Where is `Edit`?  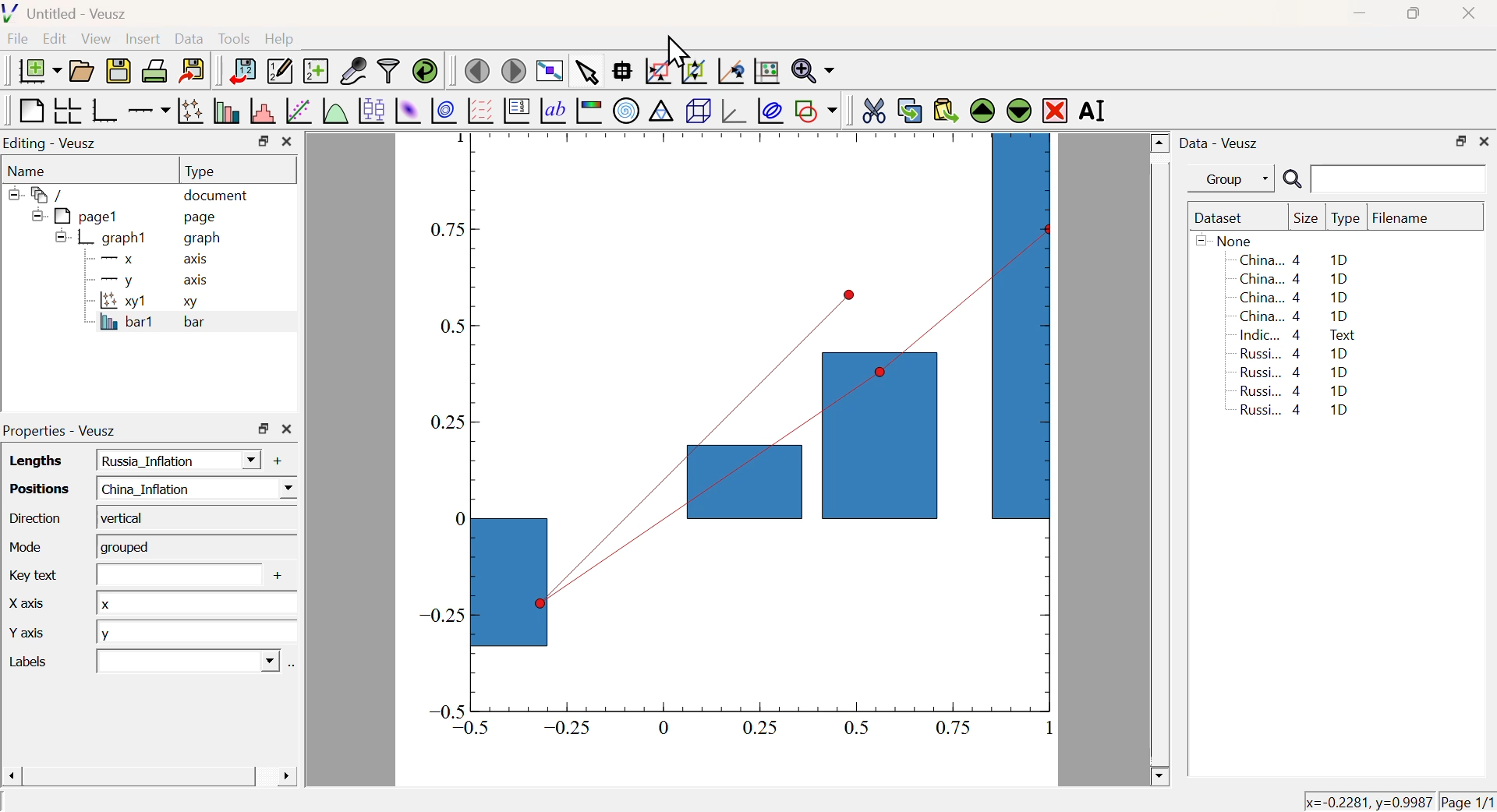 Edit is located at coordinates (55, 37).